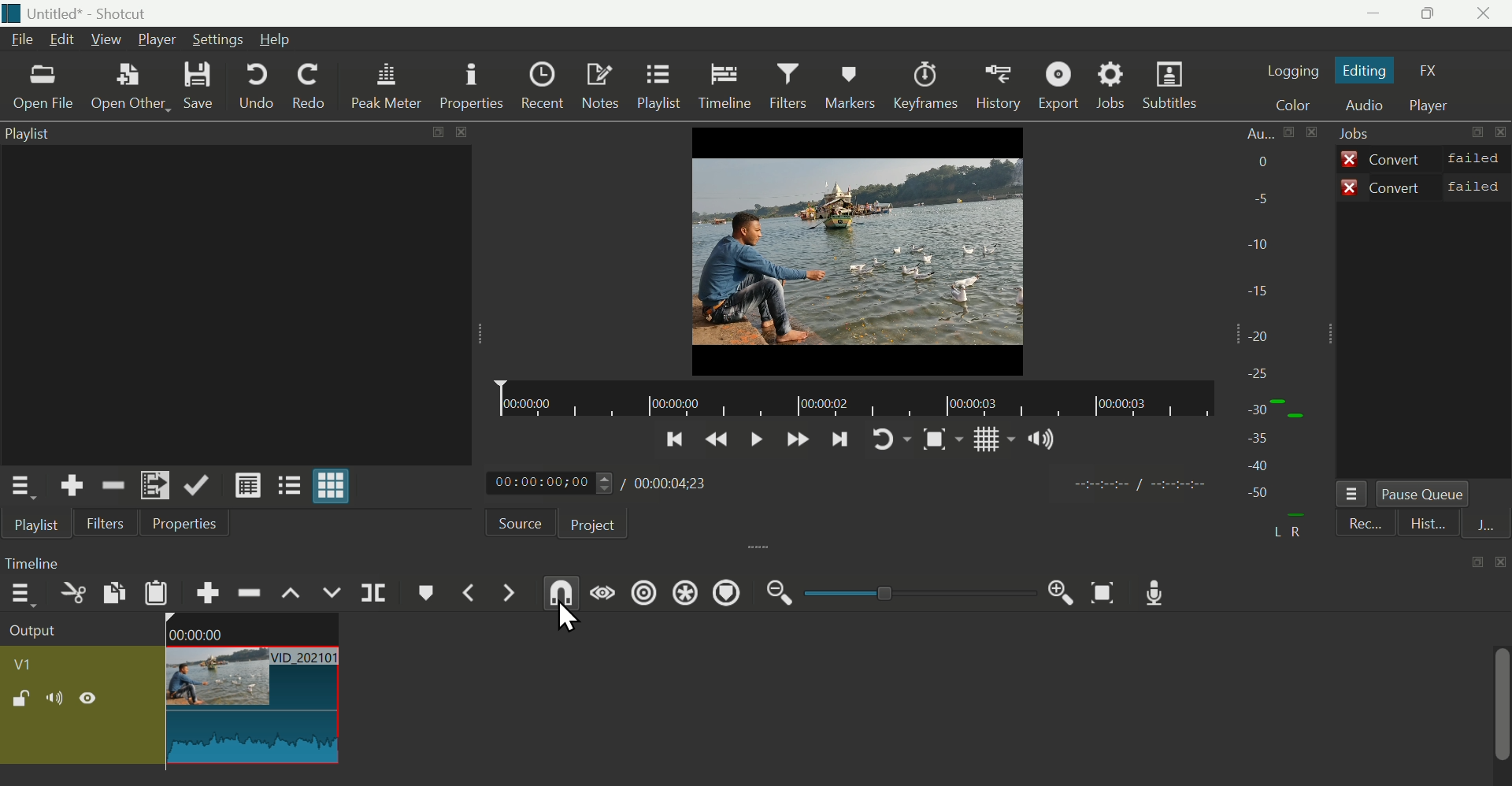 The height and width of the screenshot is (786, 1512). I want to click on scrollbar, so click(1503, 717).